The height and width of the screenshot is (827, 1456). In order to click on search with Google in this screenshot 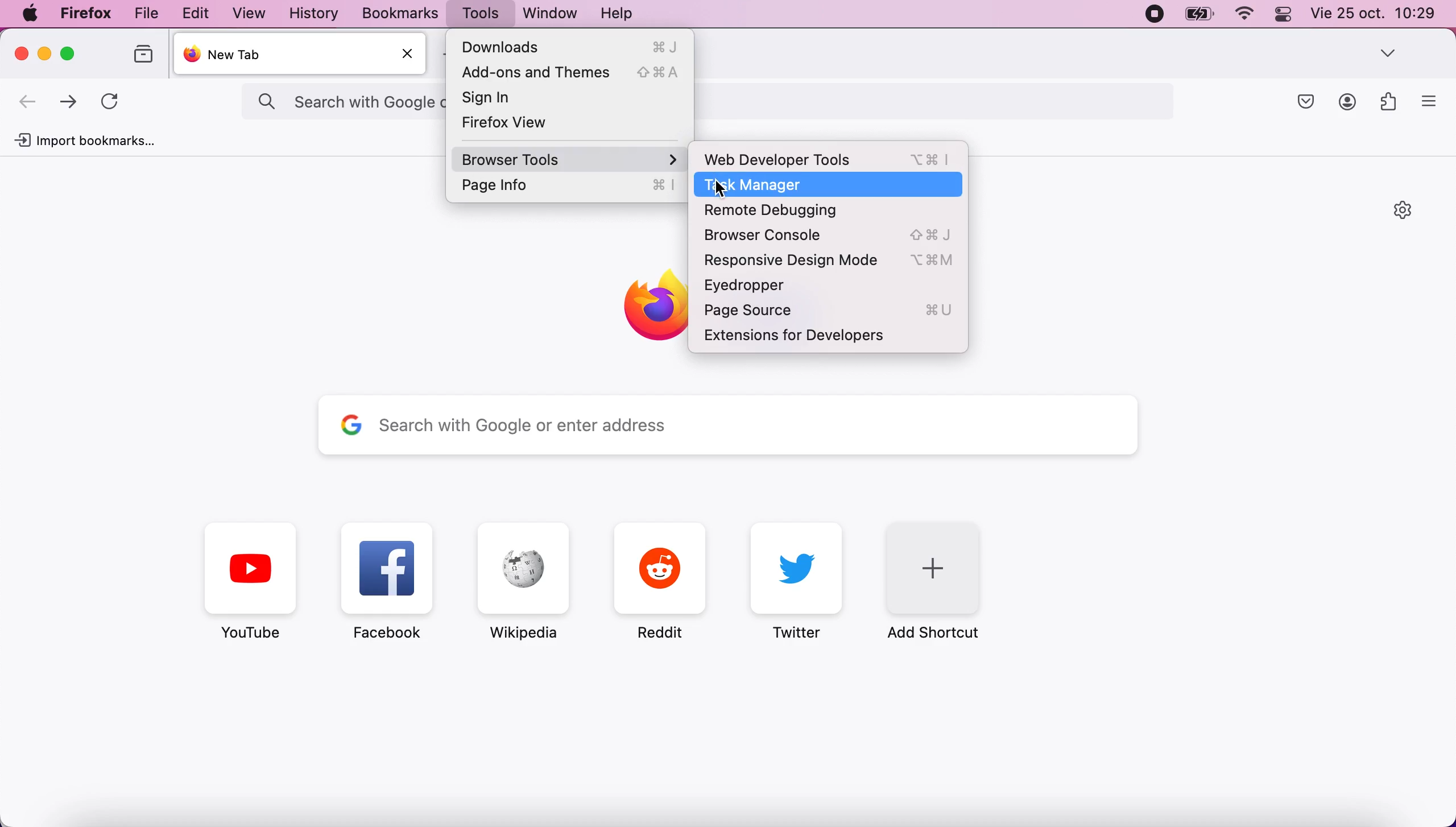, I will do `click(346, 103)`.